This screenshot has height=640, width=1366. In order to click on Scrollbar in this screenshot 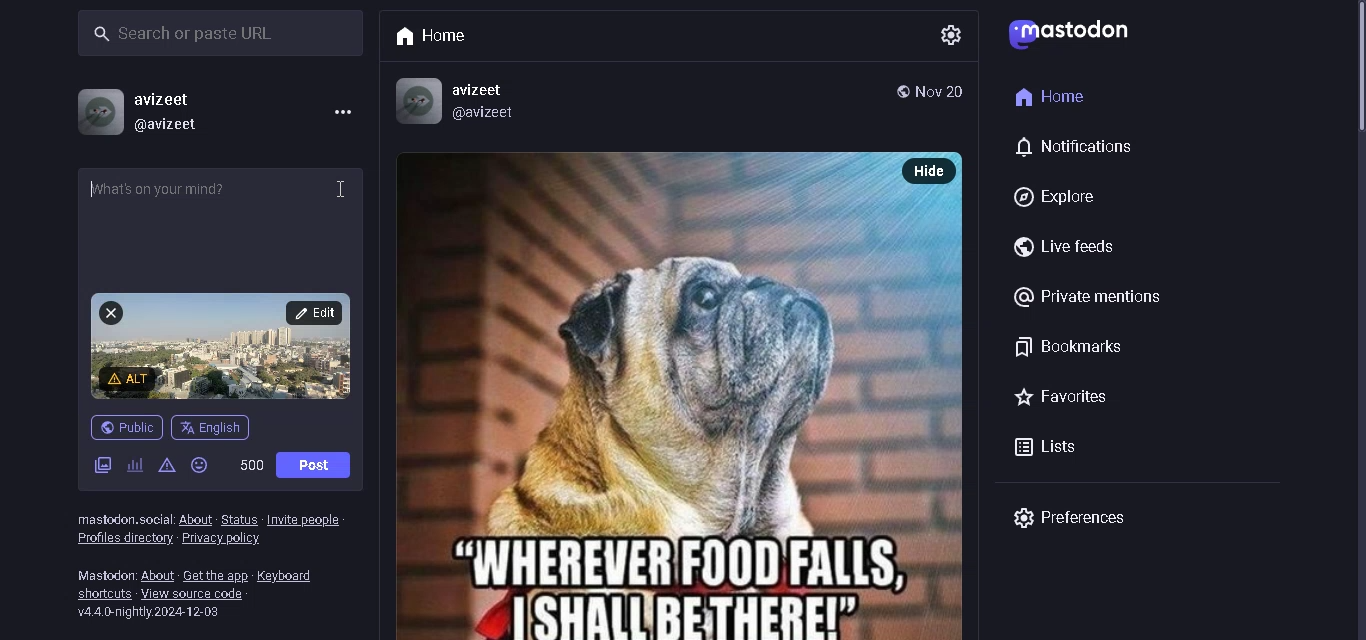, I will do `click(1358, 78)`.